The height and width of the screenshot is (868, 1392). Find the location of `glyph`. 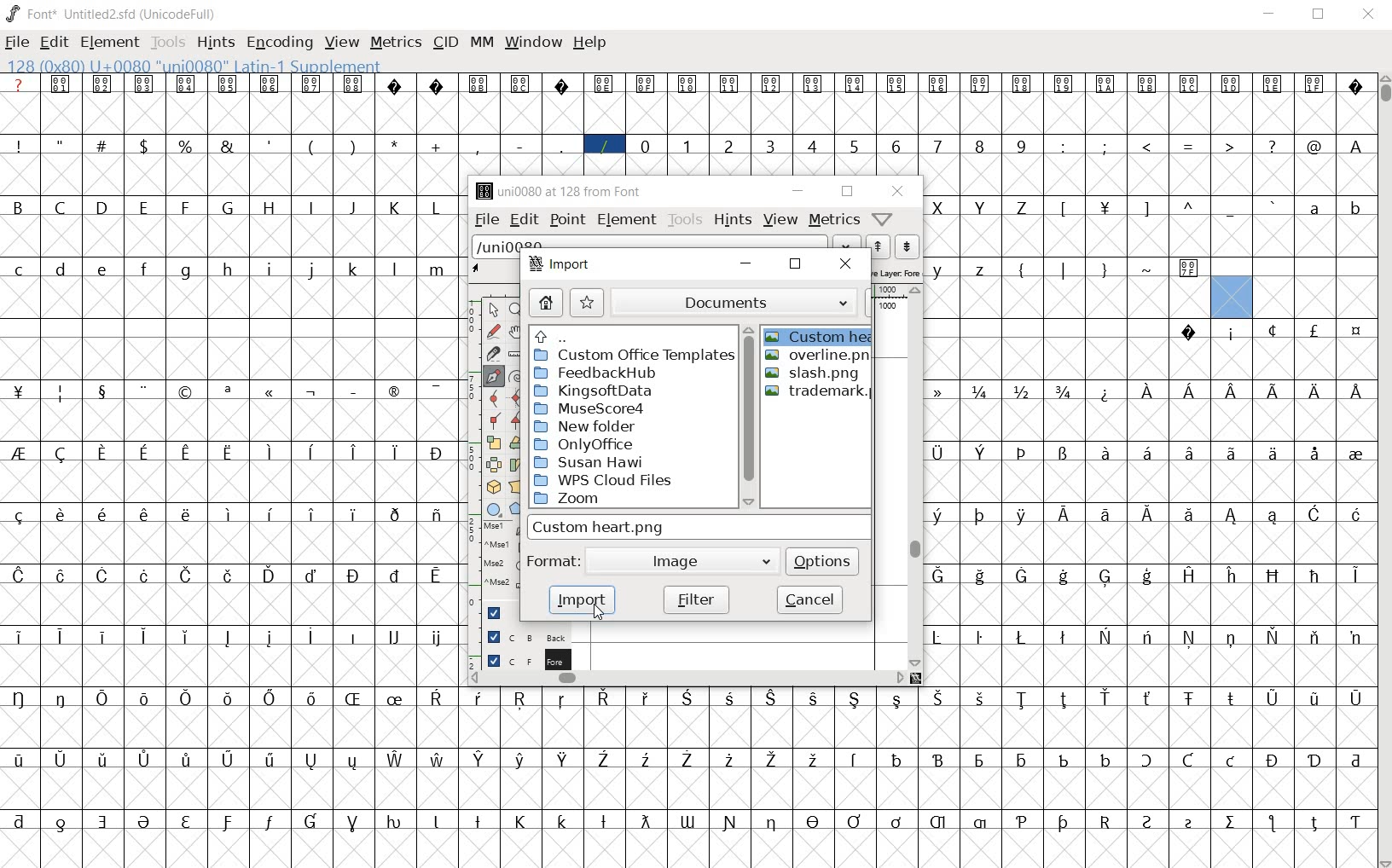

glyph is located at coordinates (1063, 637).